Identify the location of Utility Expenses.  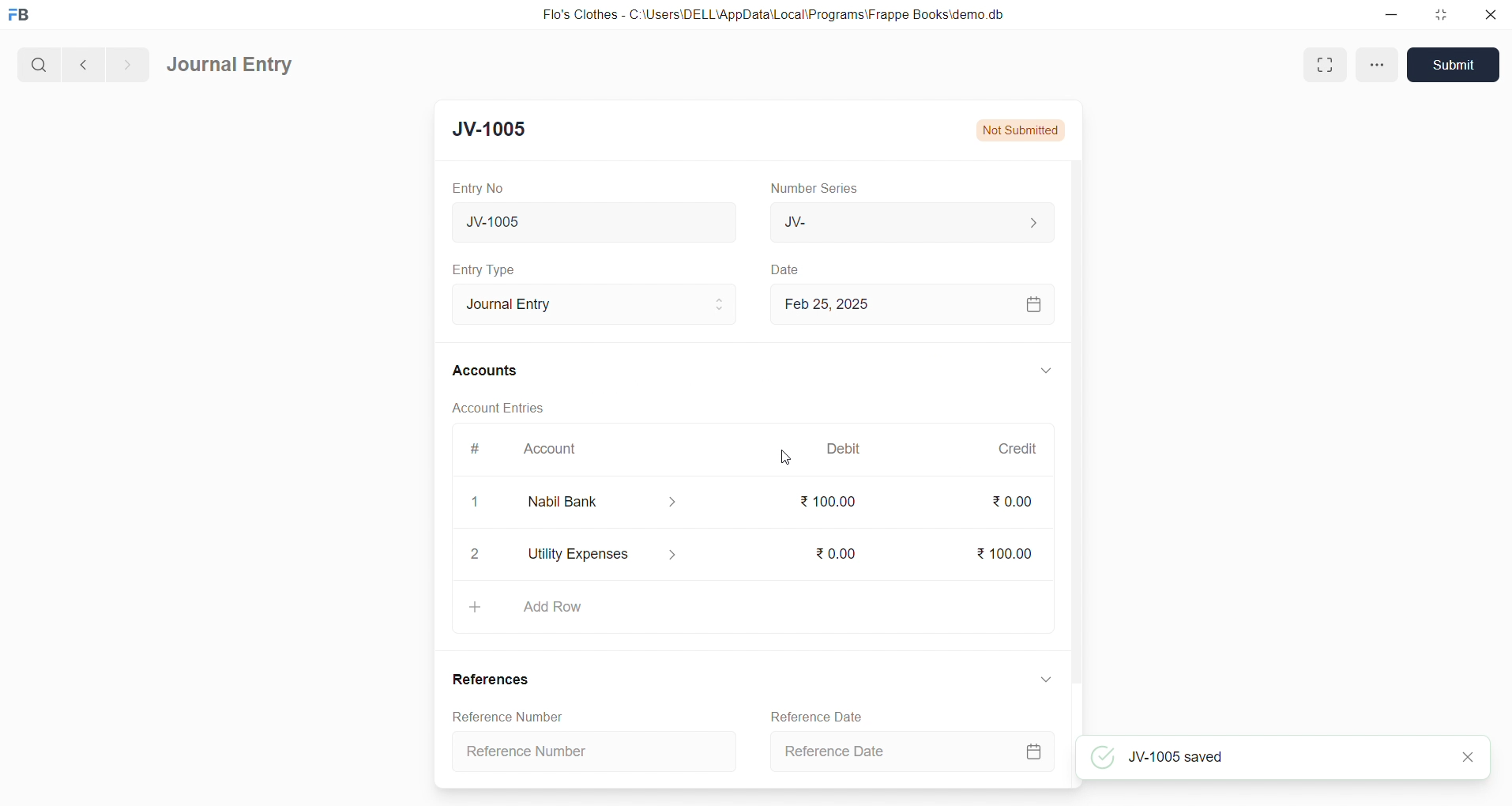
(621, 551).